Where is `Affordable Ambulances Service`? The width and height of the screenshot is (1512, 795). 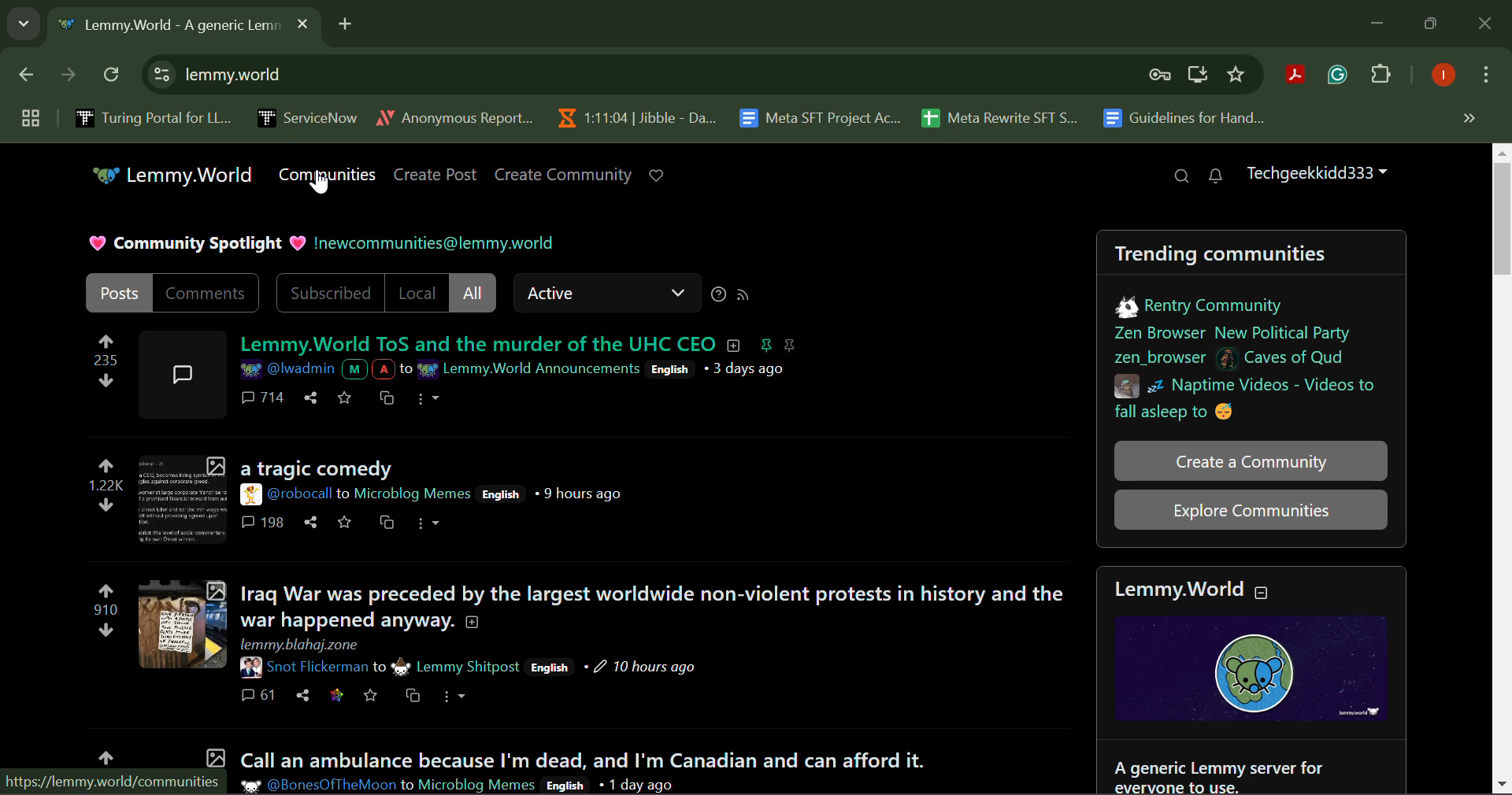 Affordable Ambulances Service is located at coordinates (586, 752).